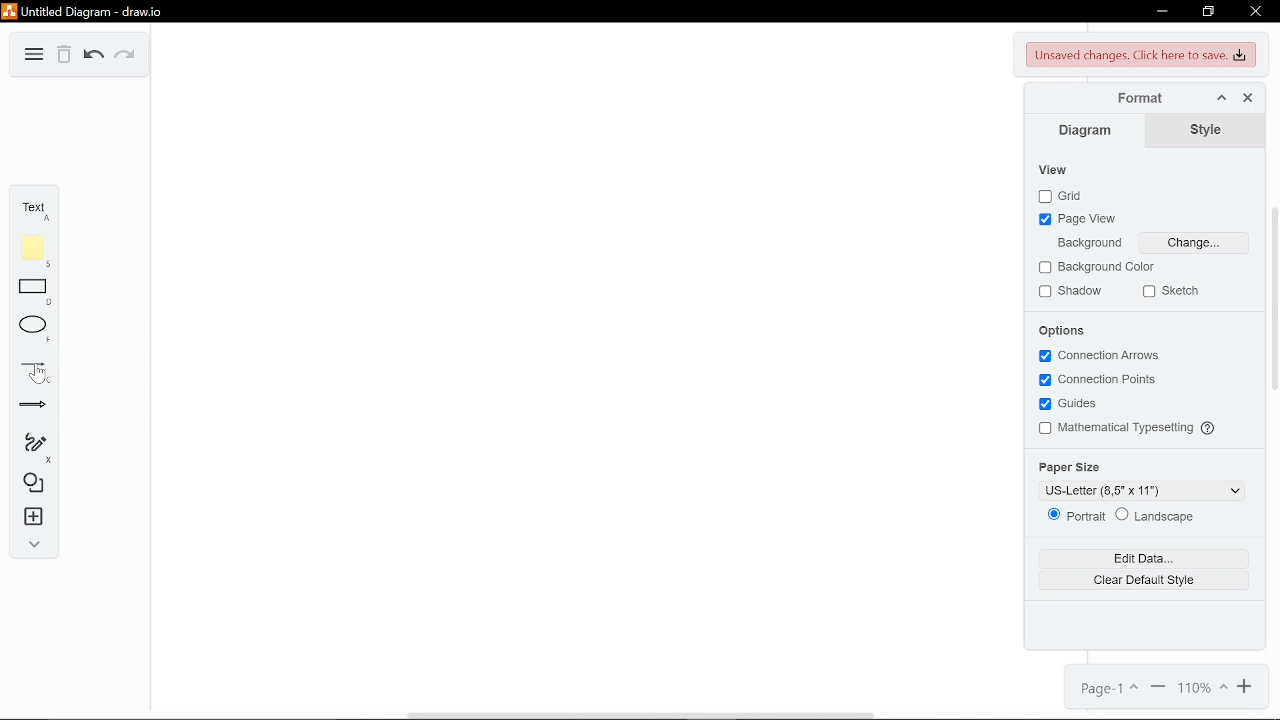 This screenshot has width=1280, height=720. I want to click on Page 1, so click(1109, 689).